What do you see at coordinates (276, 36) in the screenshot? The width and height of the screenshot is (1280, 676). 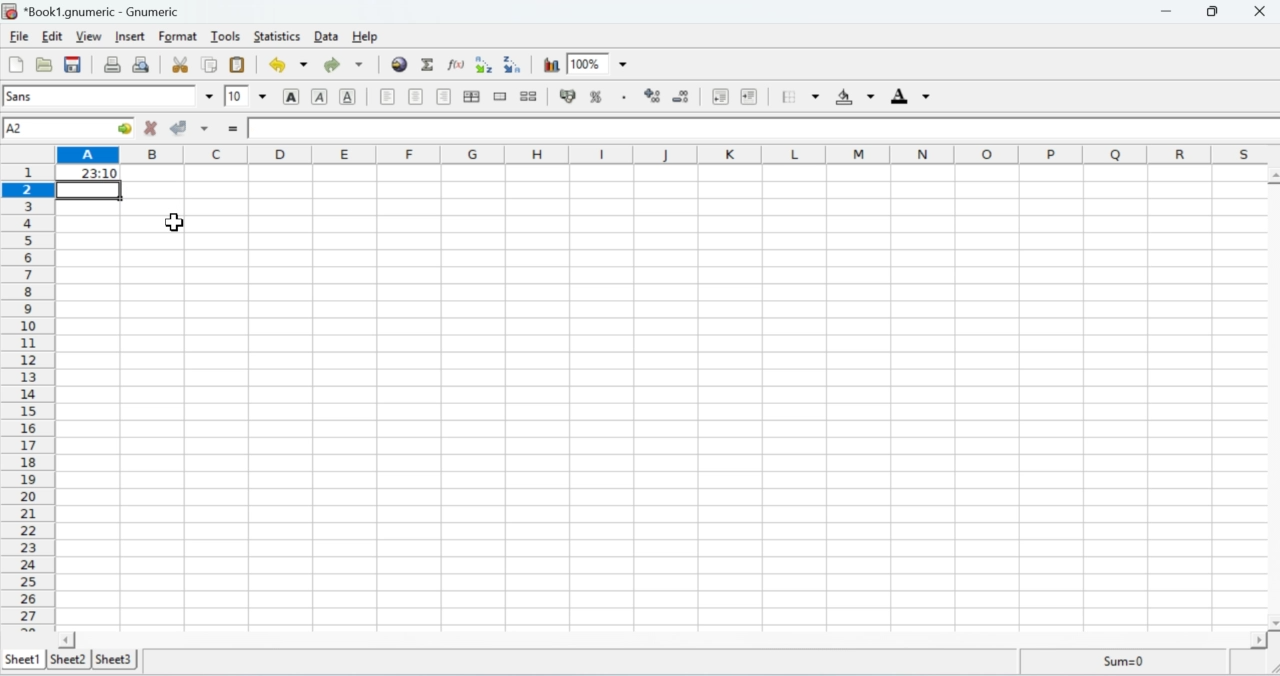 I see `Statistics` at bounding box center [276, 36].